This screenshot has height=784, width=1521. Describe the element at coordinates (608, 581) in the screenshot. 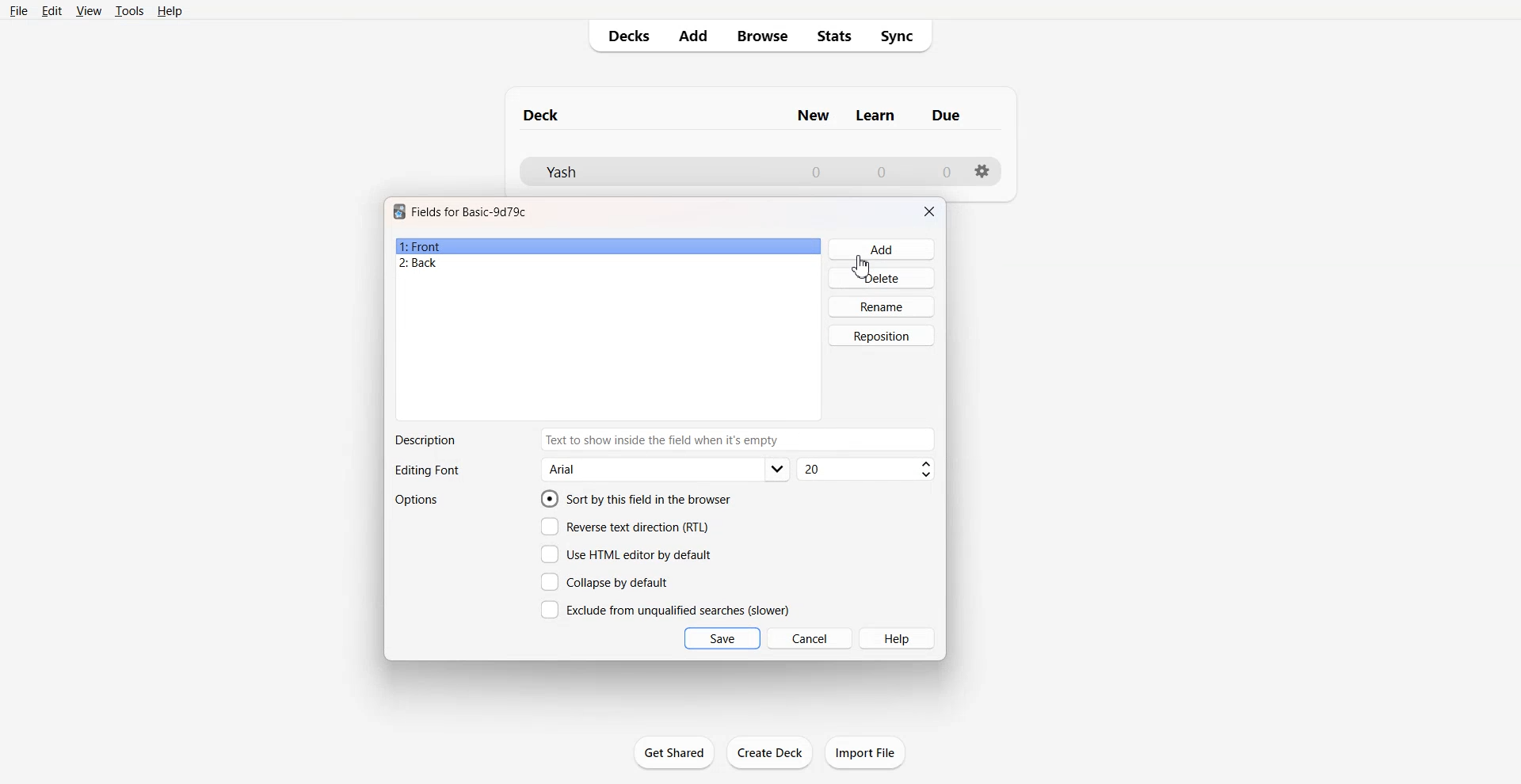

I see `Collapse by default` at that location.